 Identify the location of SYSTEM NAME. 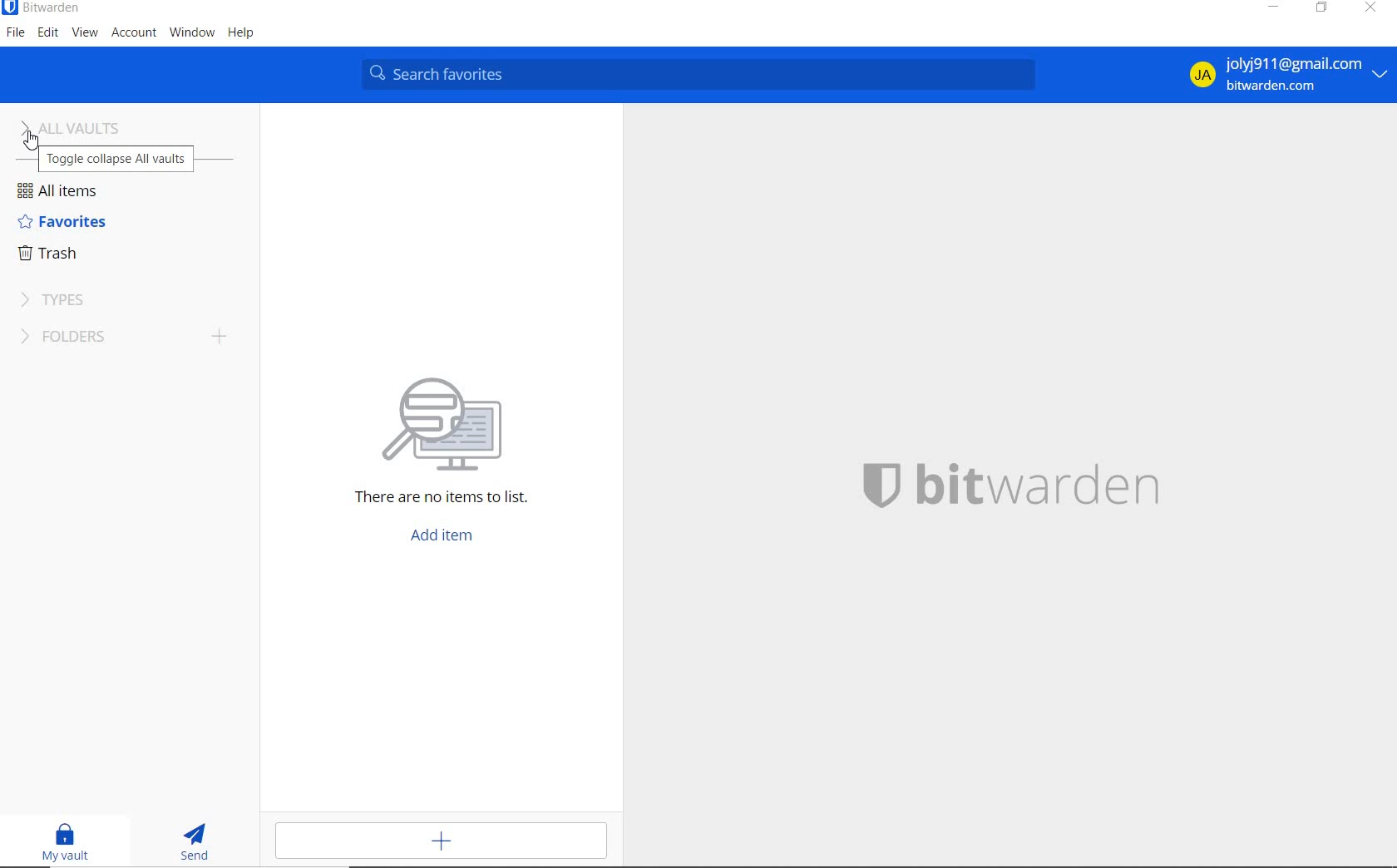
(42, 8).